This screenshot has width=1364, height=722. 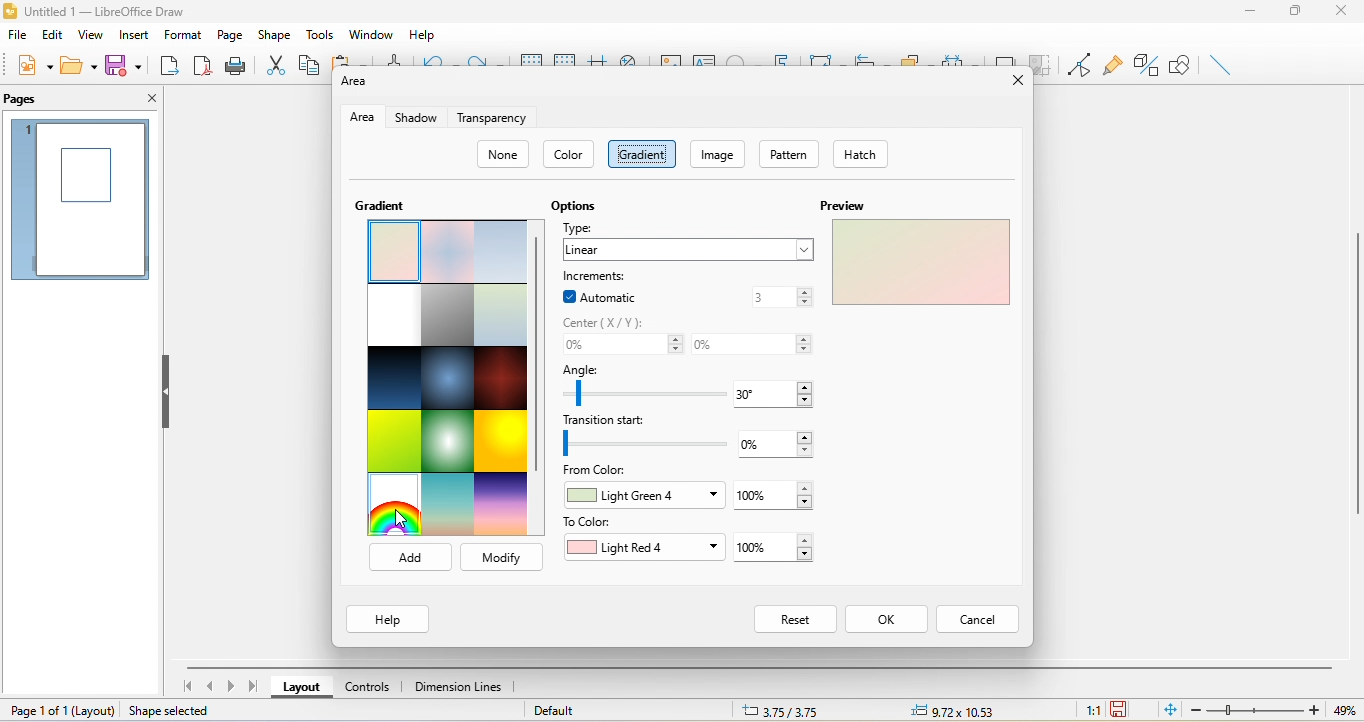 What do you see at coordinates (31, 65) in the screenshot?
I see `new` at bounding box center [31, 65].